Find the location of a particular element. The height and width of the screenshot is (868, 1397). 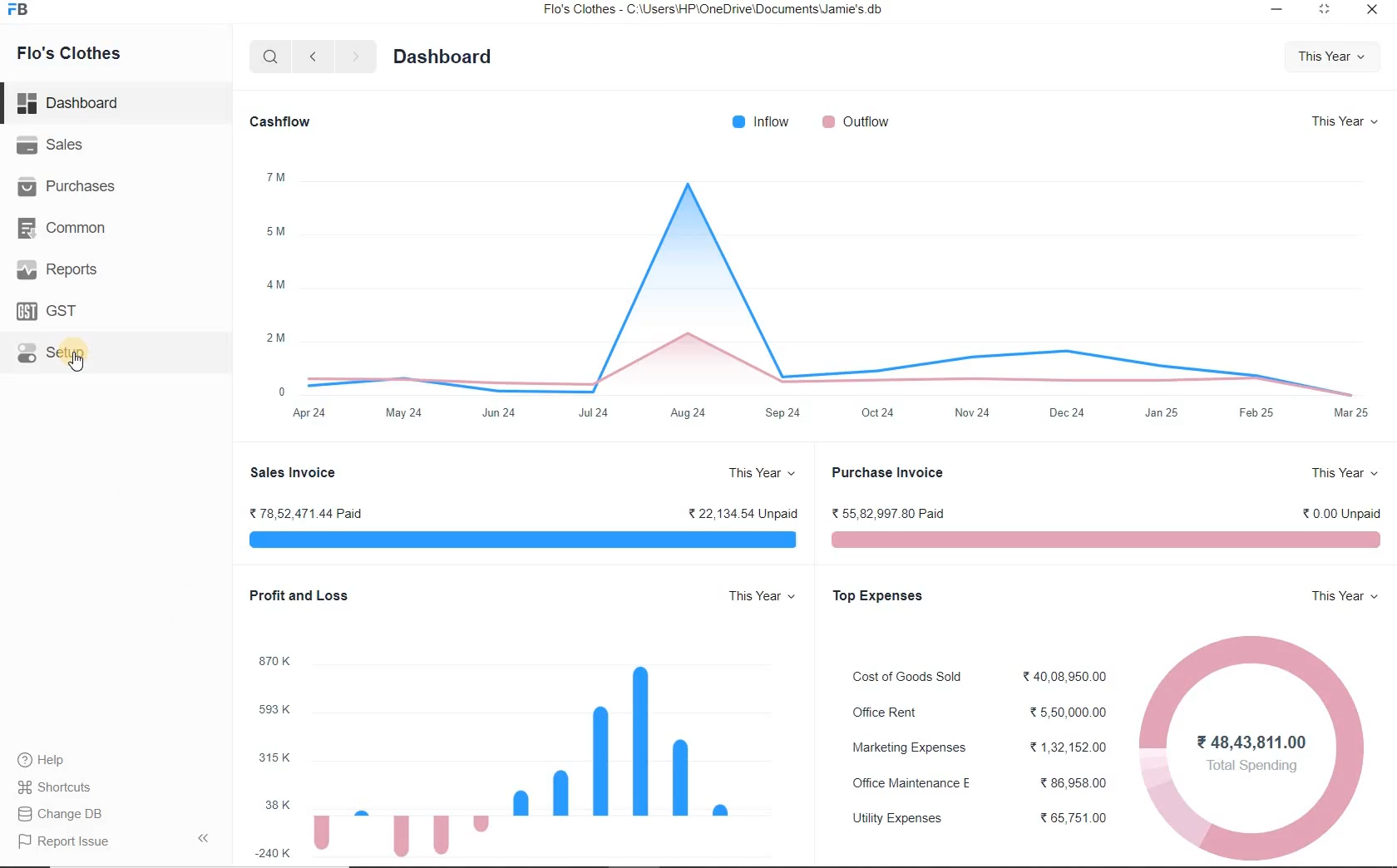

Dashboard is located at coordinates (447, 55).